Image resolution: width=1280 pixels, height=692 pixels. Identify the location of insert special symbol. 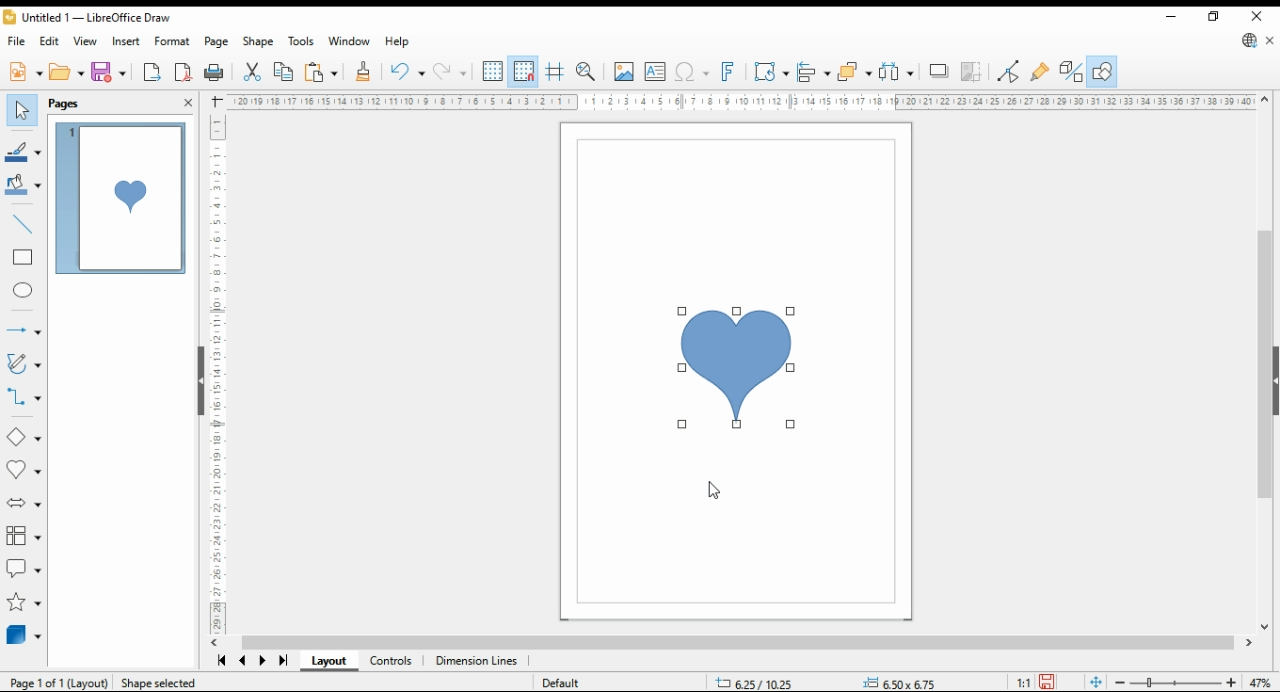
(692, 72).